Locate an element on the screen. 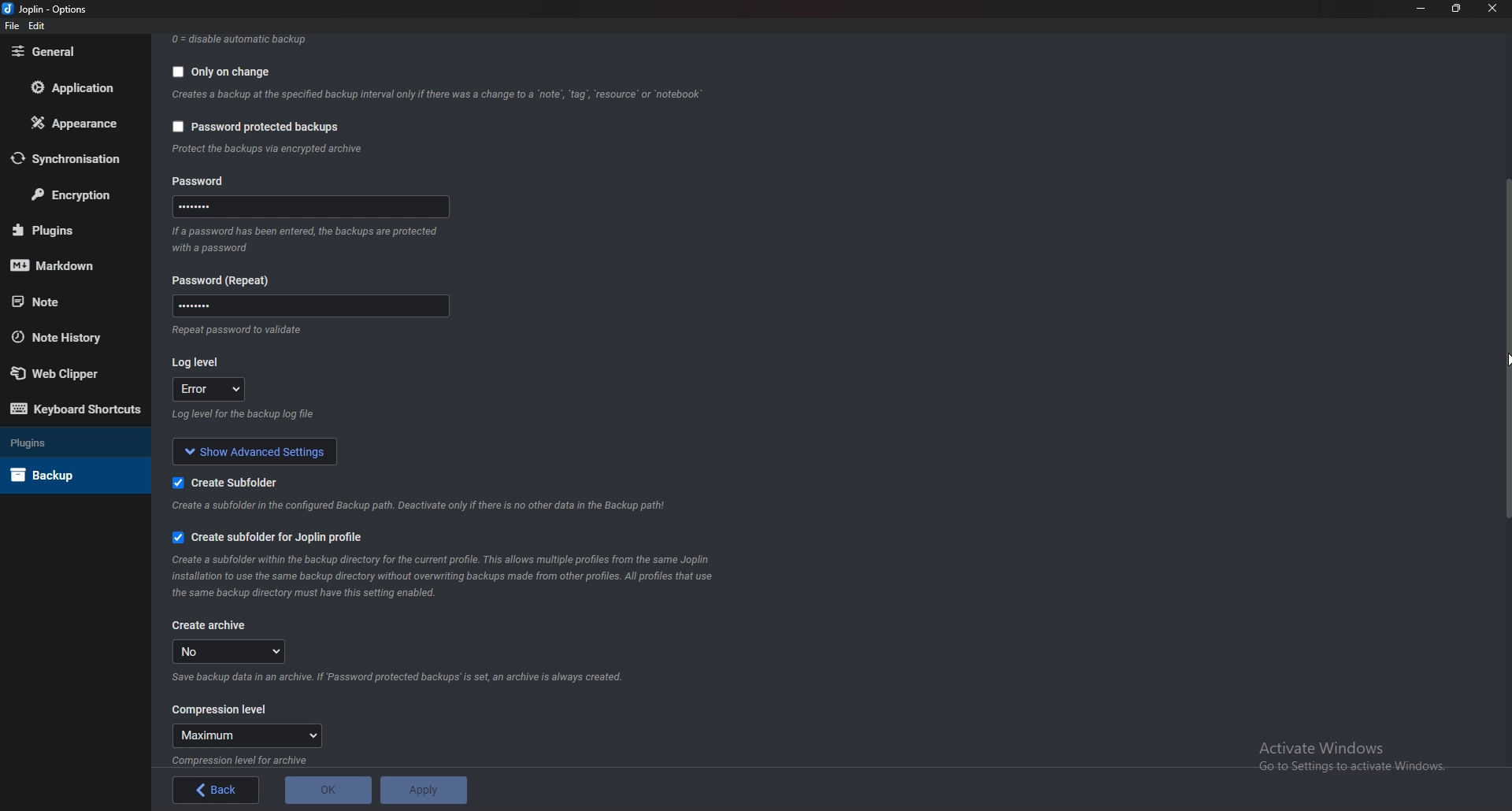 Image resolution: width=1512 pixels, height=811 pixels. Log level is located at coordinates (200, 362).